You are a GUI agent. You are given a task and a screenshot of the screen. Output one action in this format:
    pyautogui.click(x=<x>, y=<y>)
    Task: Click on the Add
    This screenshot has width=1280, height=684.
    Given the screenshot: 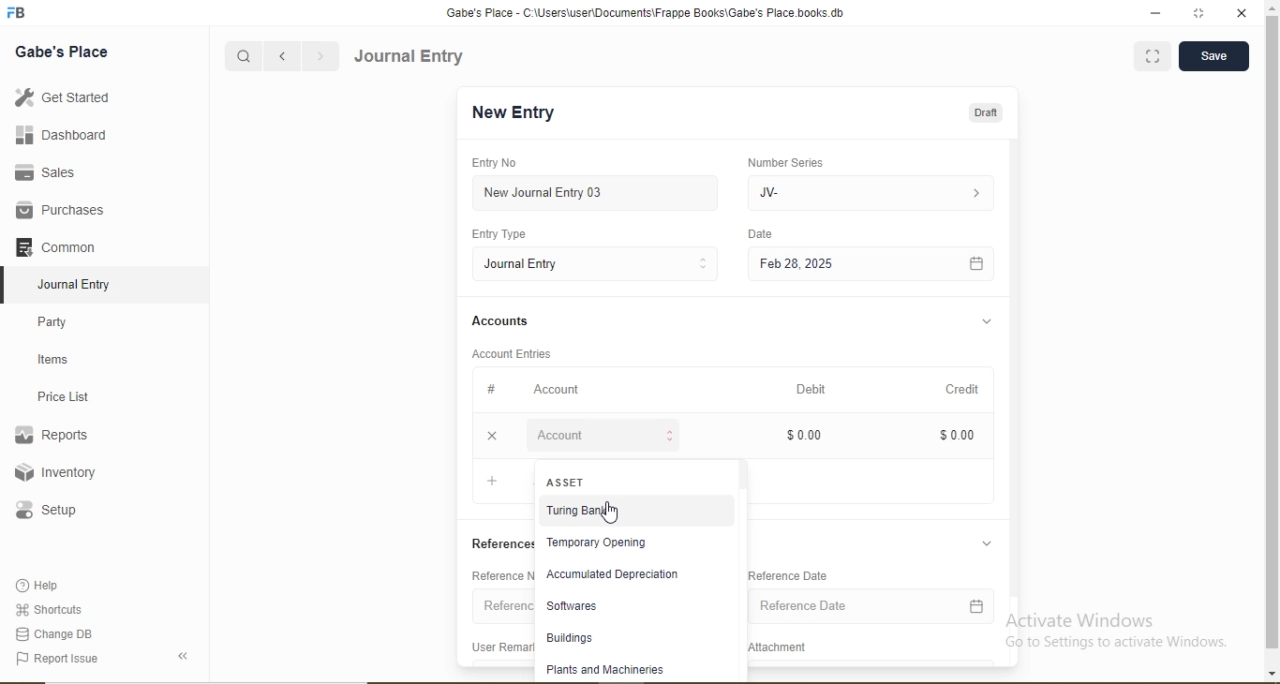 What is the action you would take?
    pyautogui.click(x=492, y=481)
    